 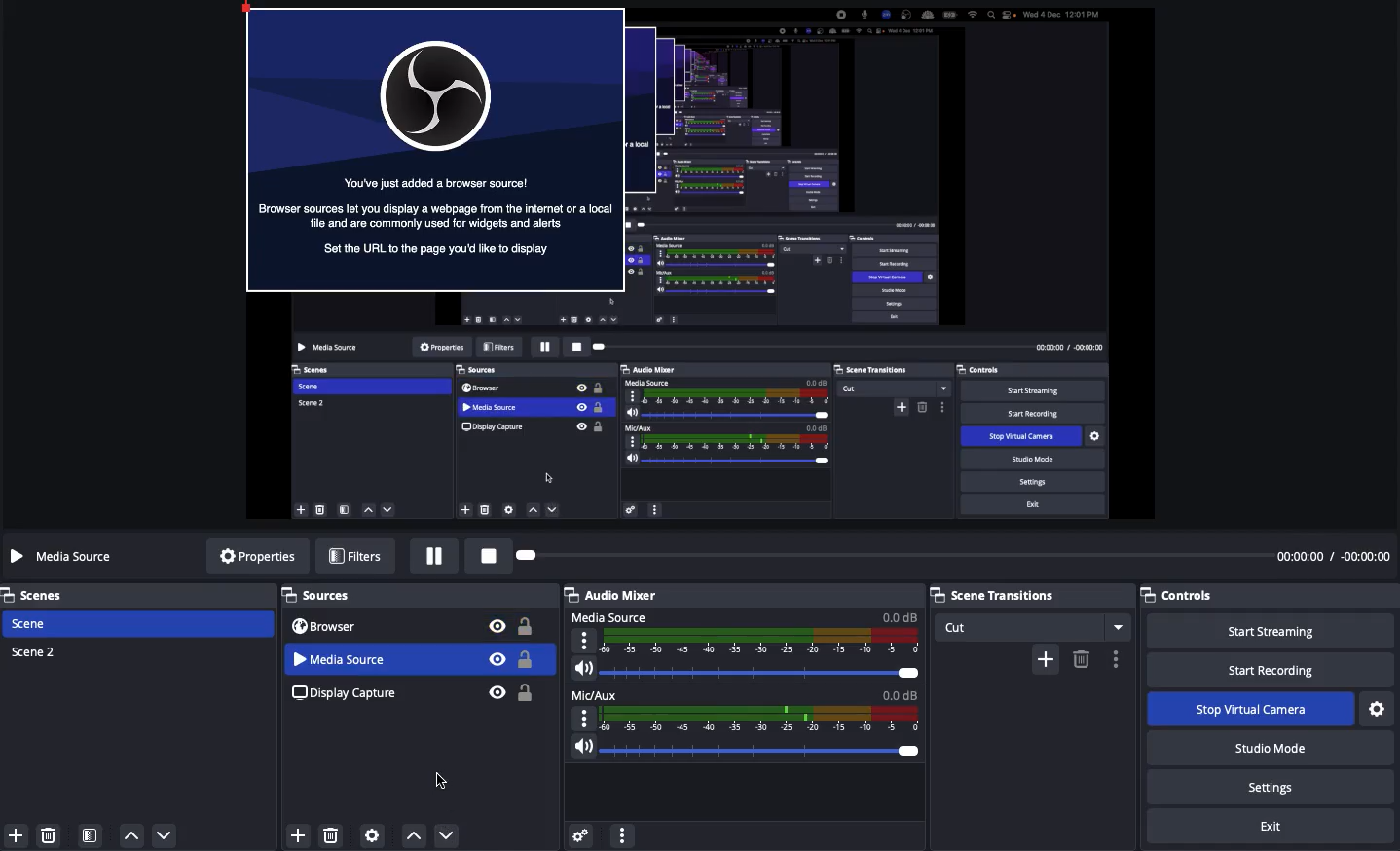 What do you see at coordinates (746, 668) in the screenshot?
I see `Volume` at bounding box center [746, 668].